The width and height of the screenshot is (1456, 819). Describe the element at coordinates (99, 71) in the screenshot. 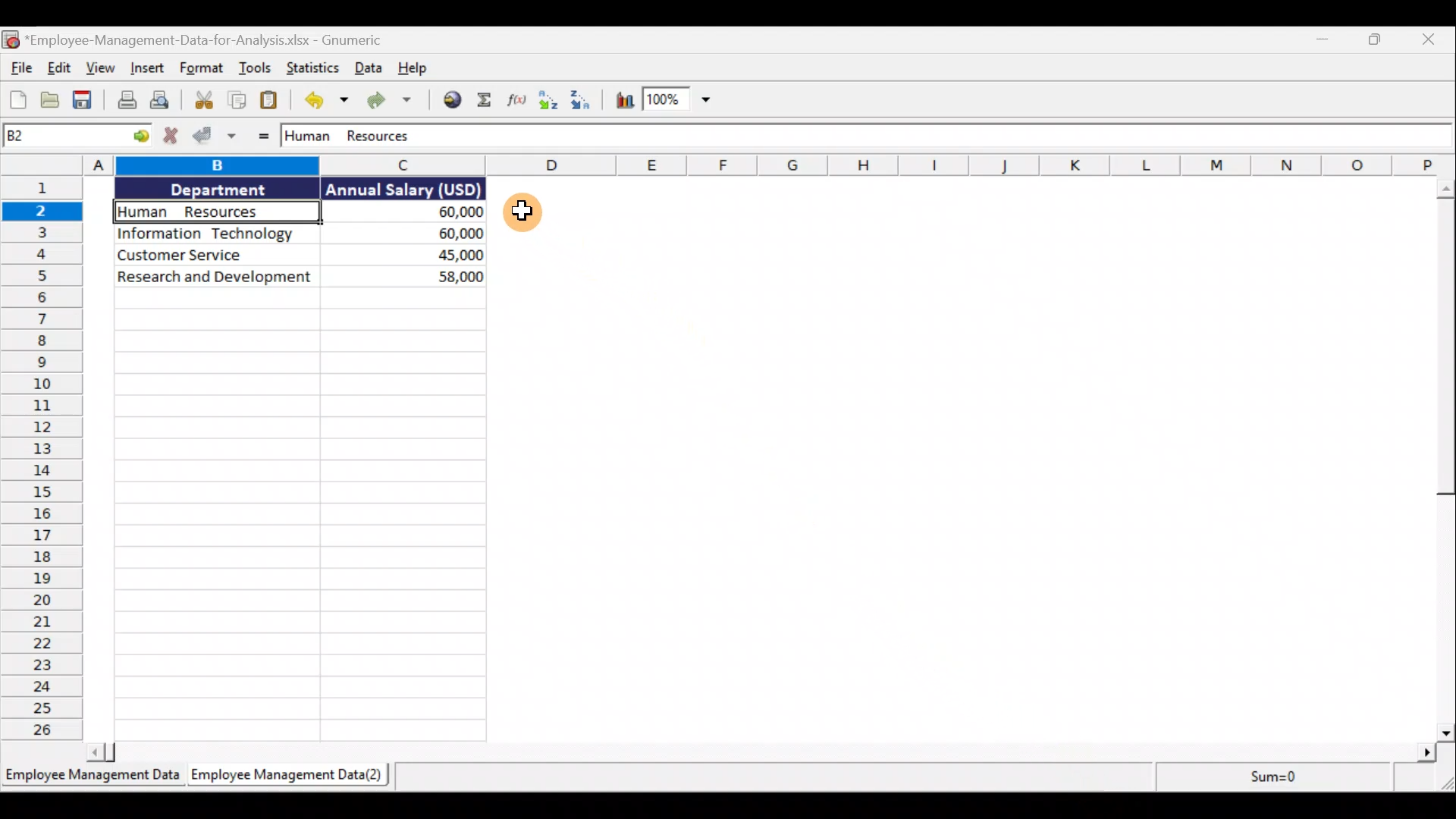

I see `View` at that location.